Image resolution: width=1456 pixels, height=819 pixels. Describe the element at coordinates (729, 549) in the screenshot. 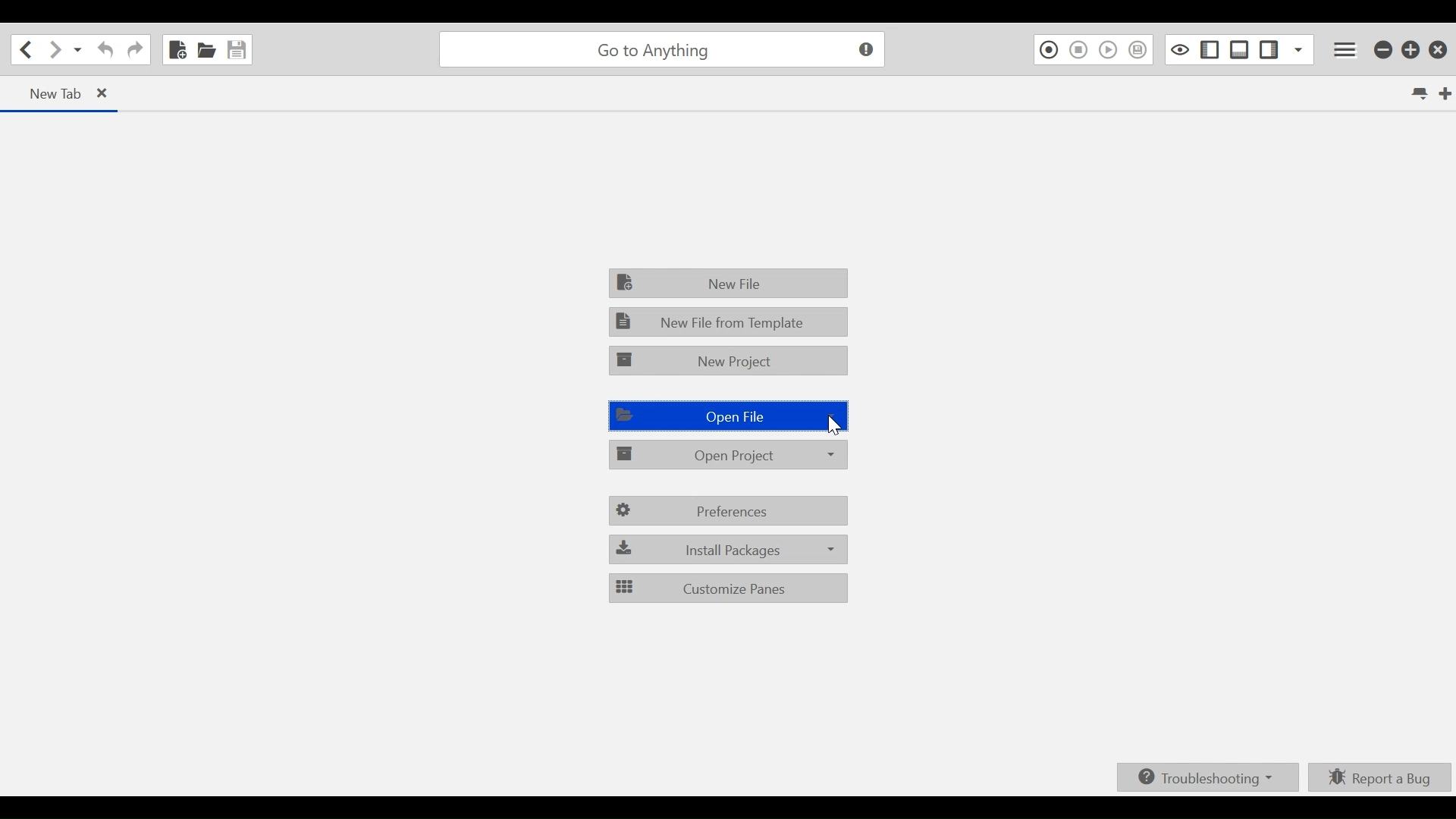

I see `Install packages` at that location.